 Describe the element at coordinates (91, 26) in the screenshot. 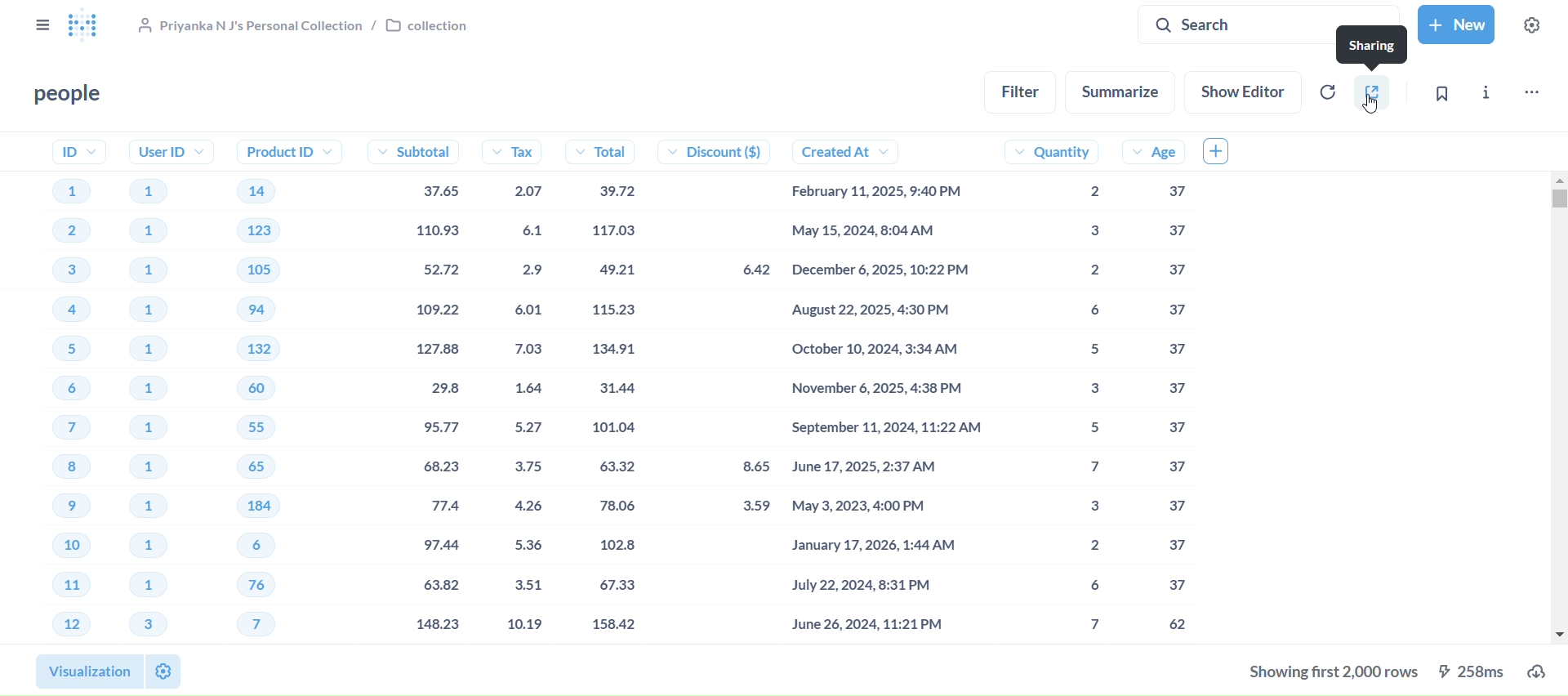

I see `logo` at that location.